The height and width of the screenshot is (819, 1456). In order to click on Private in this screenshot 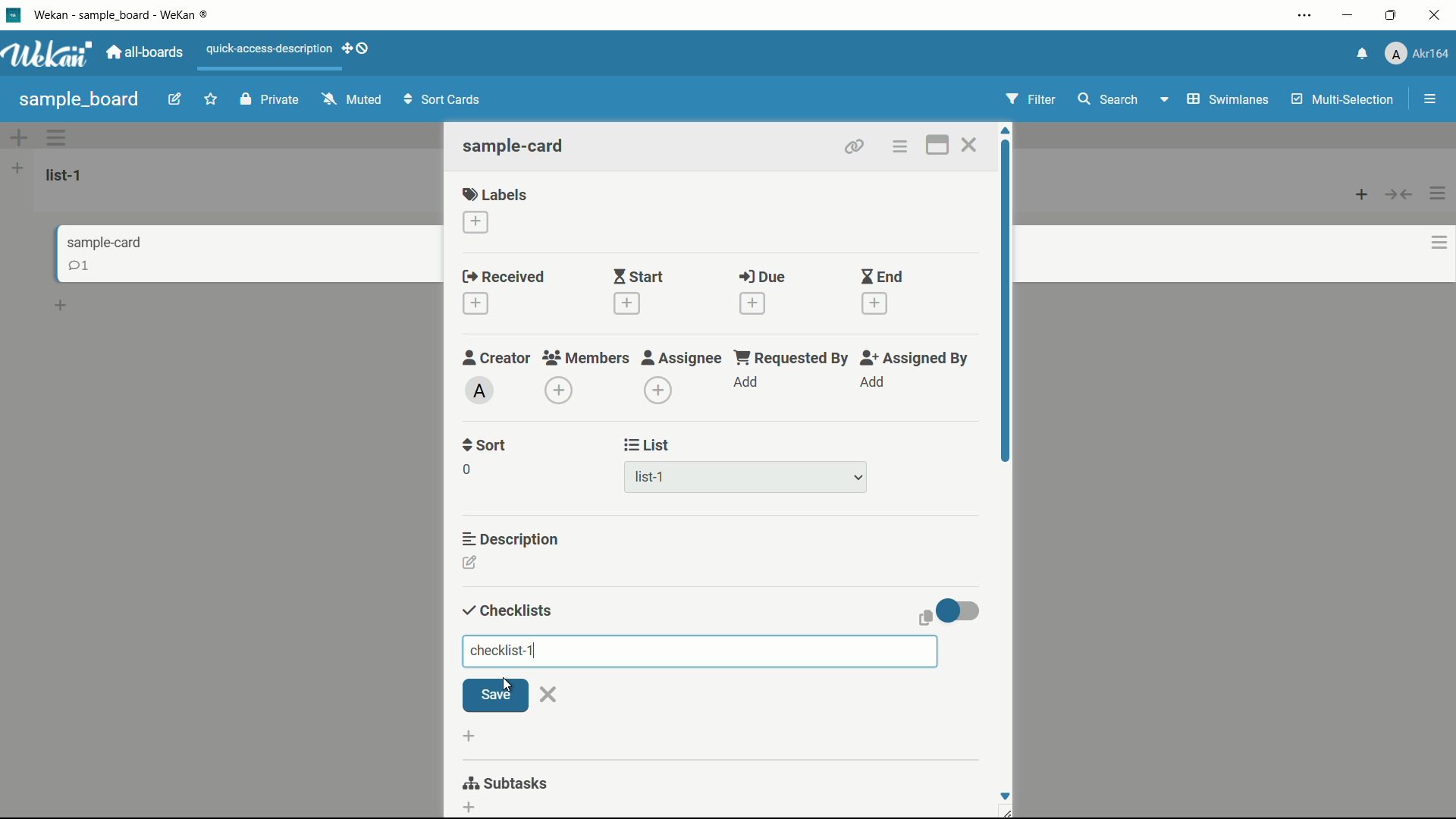, I will do `click(266, 99)`.